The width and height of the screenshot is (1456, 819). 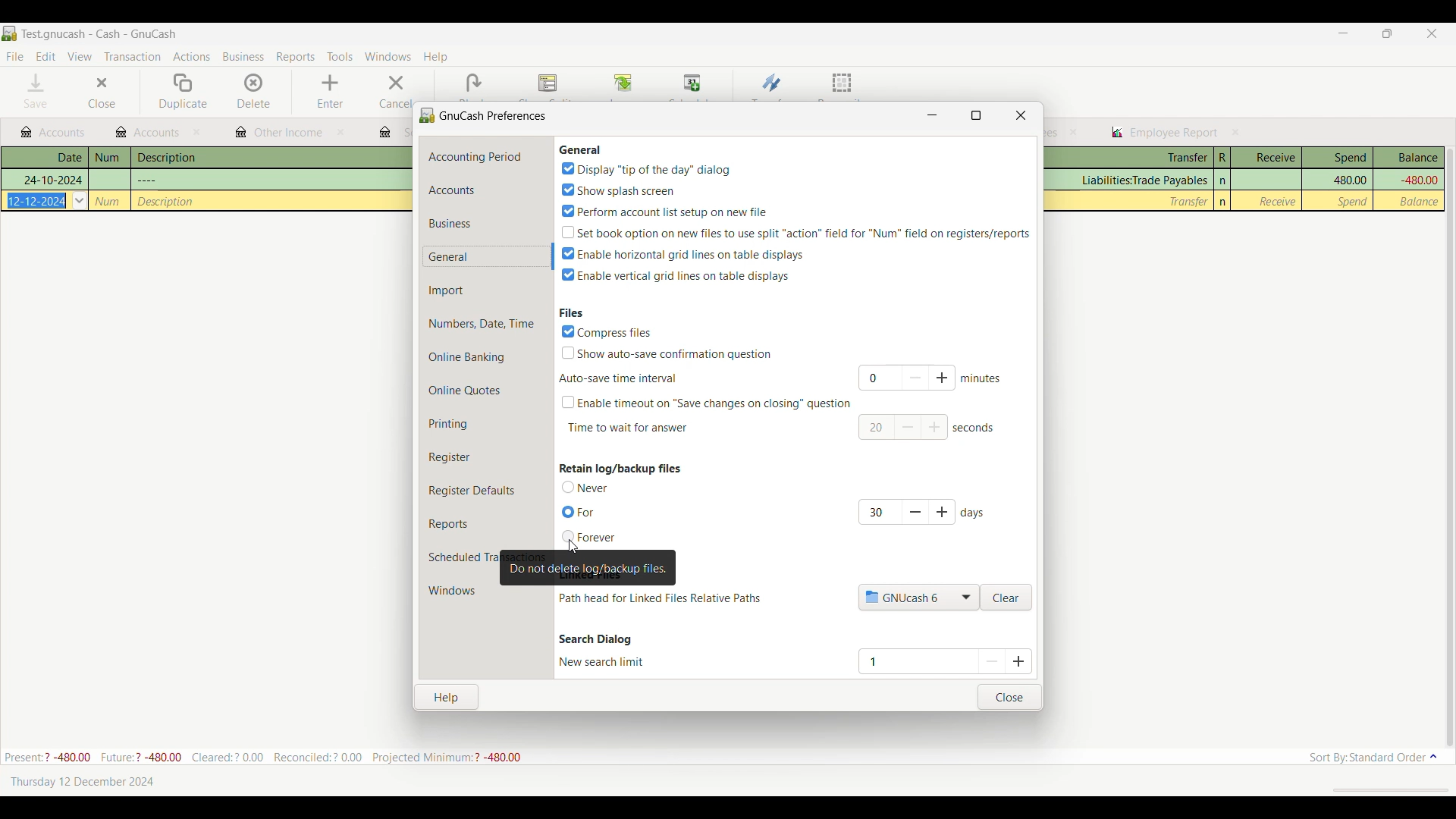 I want to click on Name of current budget tab and software, so click(x=100, y=33).